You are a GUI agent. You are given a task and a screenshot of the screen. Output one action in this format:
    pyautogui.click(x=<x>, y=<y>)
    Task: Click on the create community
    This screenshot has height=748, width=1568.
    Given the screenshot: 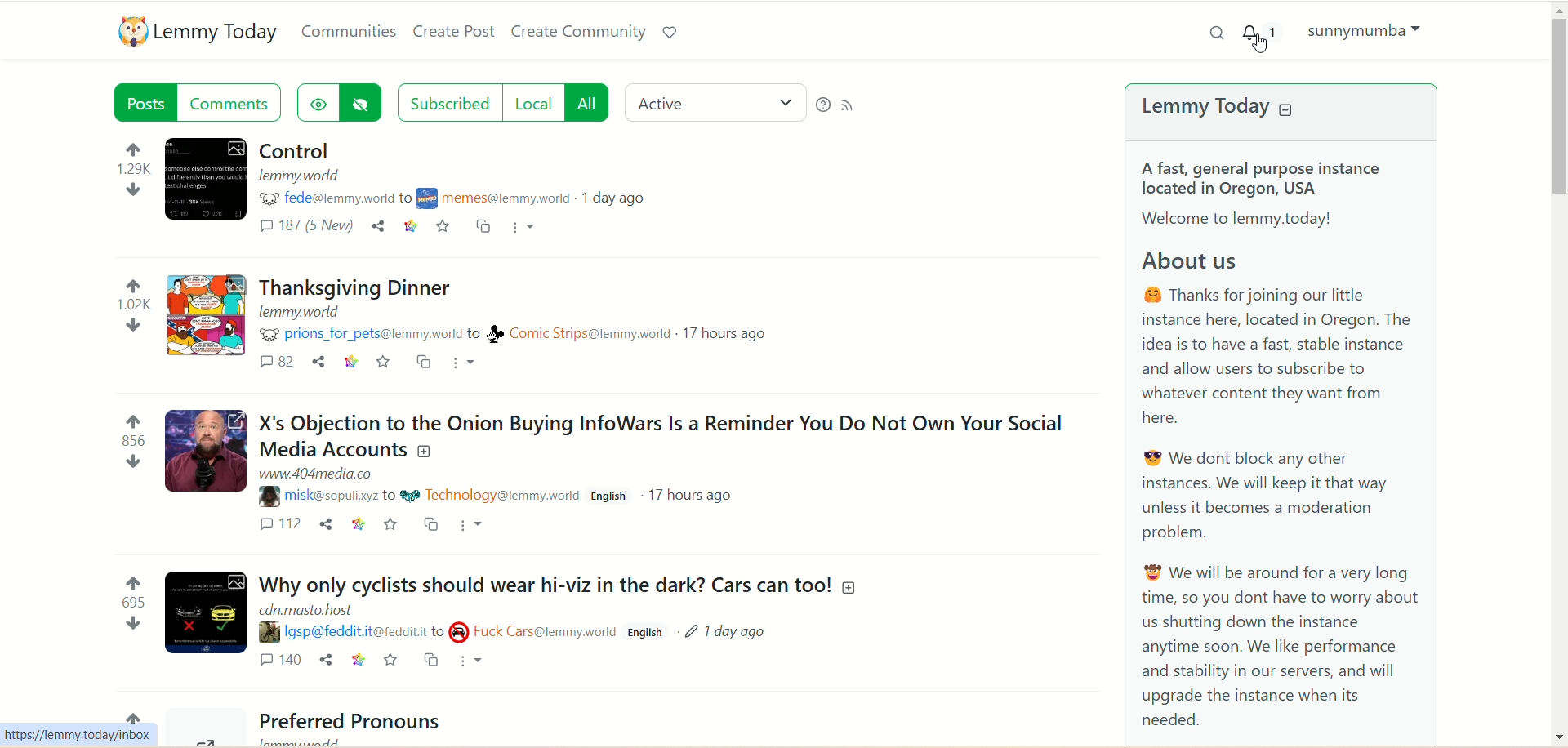 What is the action you would take?
    pyautogui.click(x=574, y=32)
    